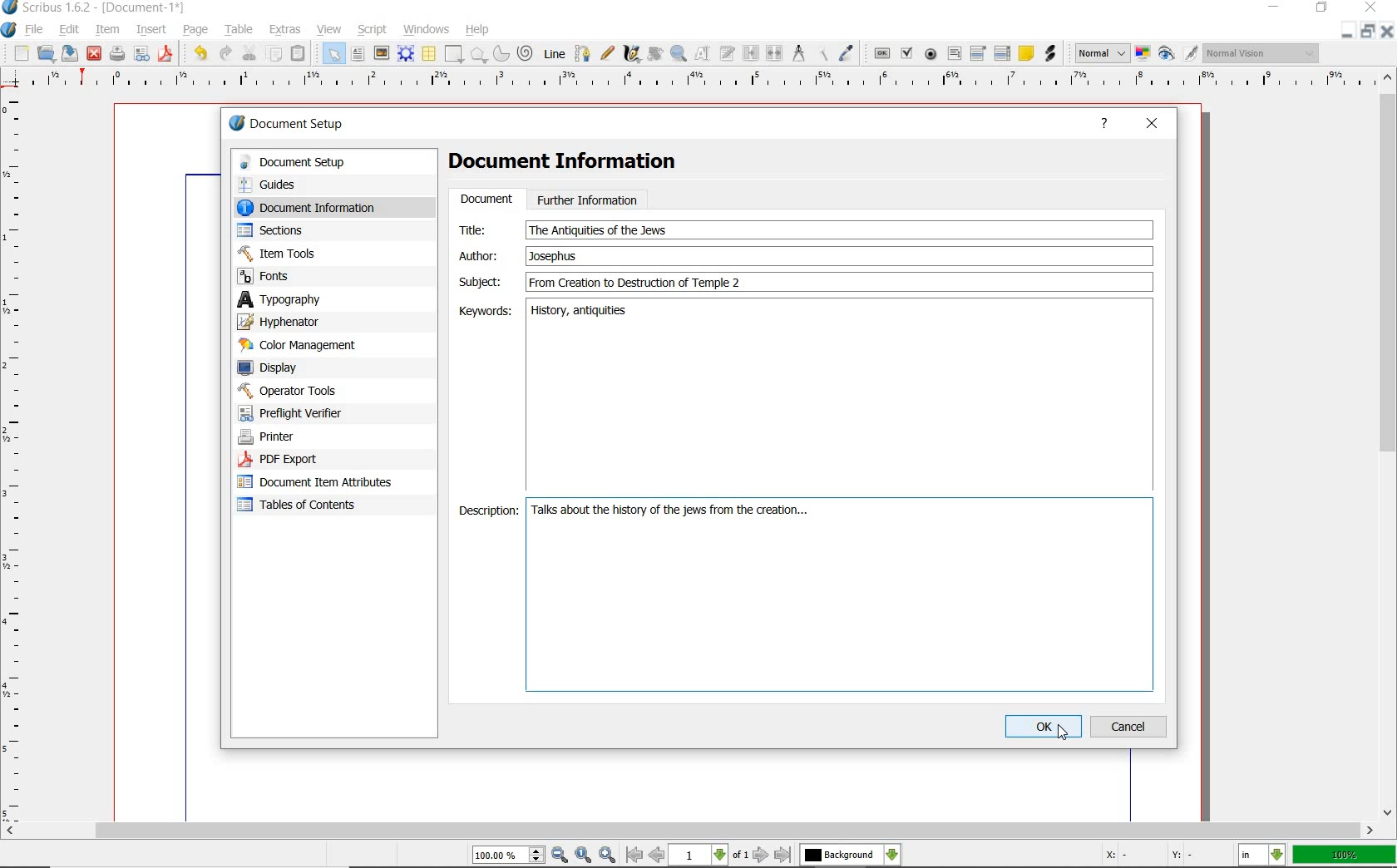  Describe the element at coordinates (1001, 53) in the screenshot. I see `pdf list box` at that location.